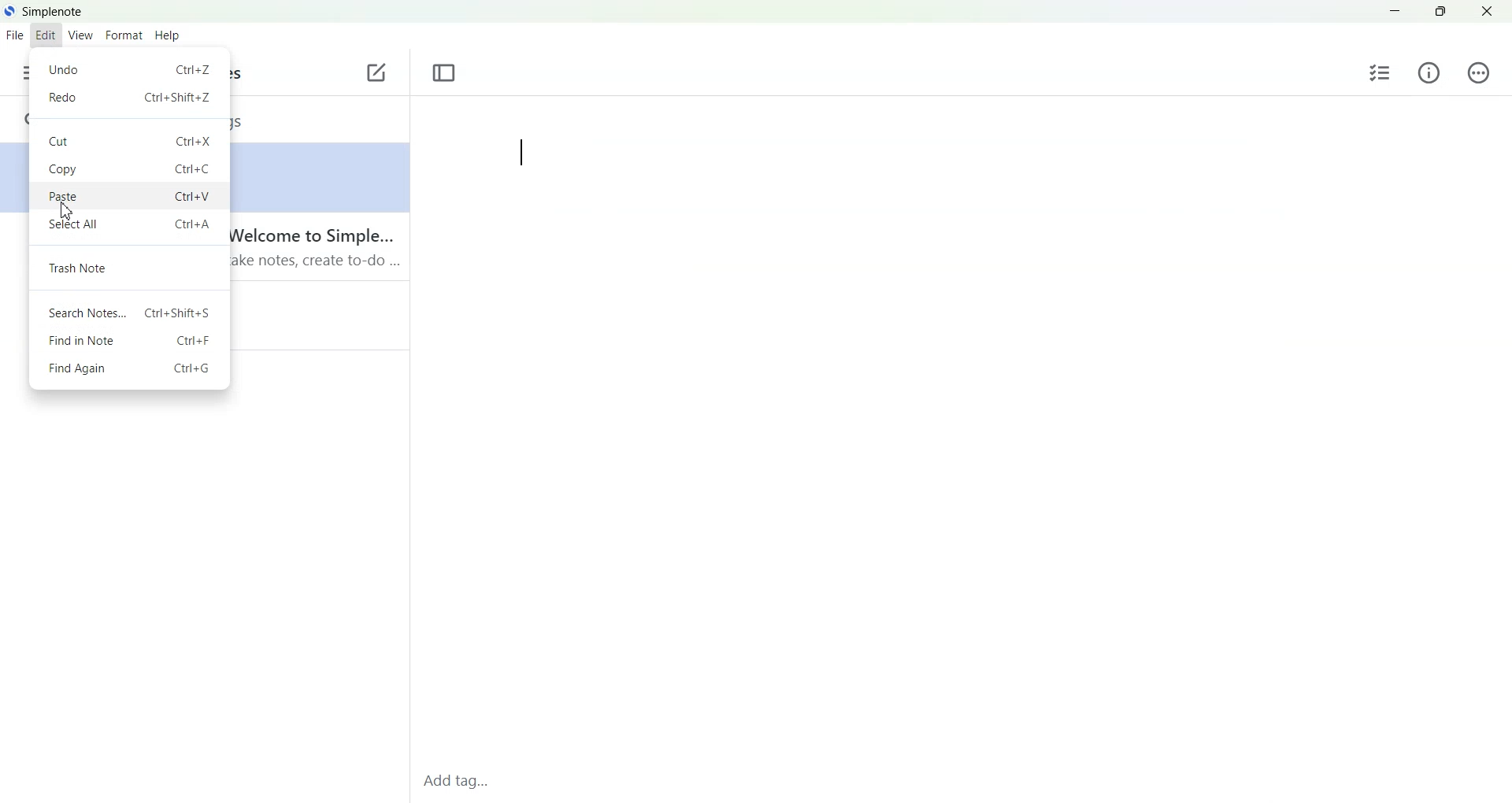 Image resolution: width=1512 pixels, height=803 pixels. Describe the element at coordinates (130, 313) in the screenshot. I see `Search Notes... Ctrl + Shift + S` at that location.